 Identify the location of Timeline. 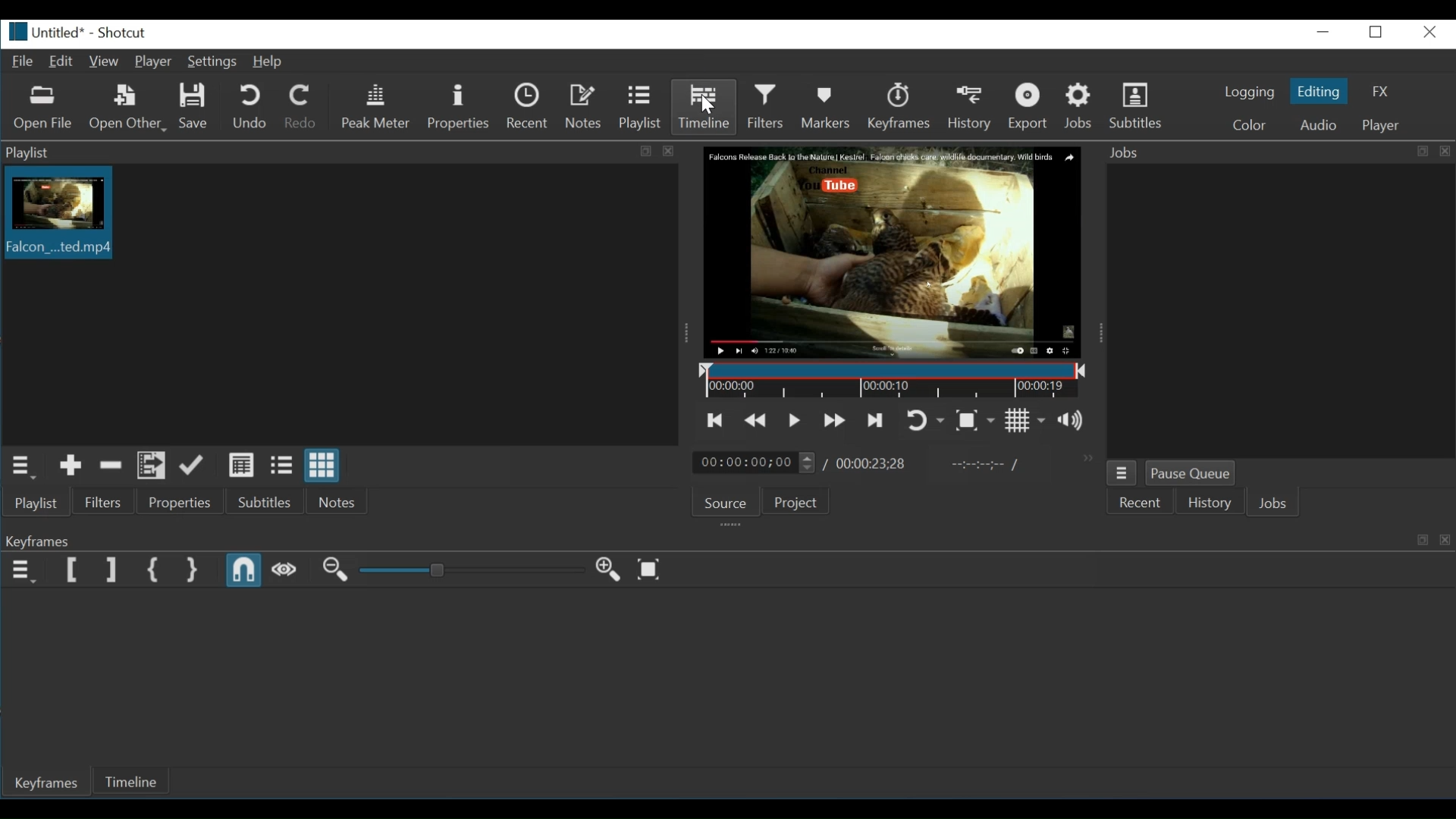
(137, 780).